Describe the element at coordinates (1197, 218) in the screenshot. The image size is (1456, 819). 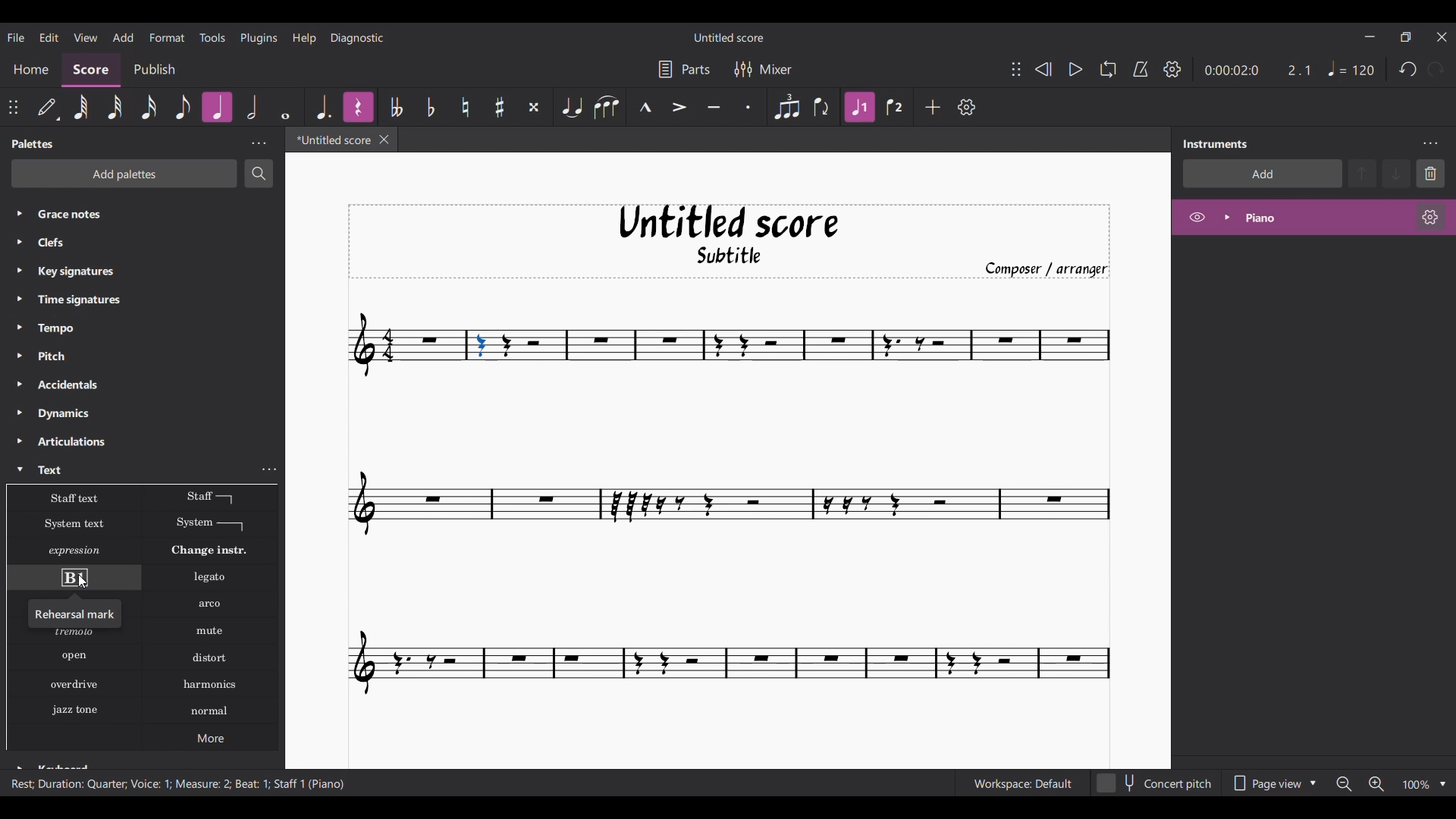
I see `Hide piano` at that location.